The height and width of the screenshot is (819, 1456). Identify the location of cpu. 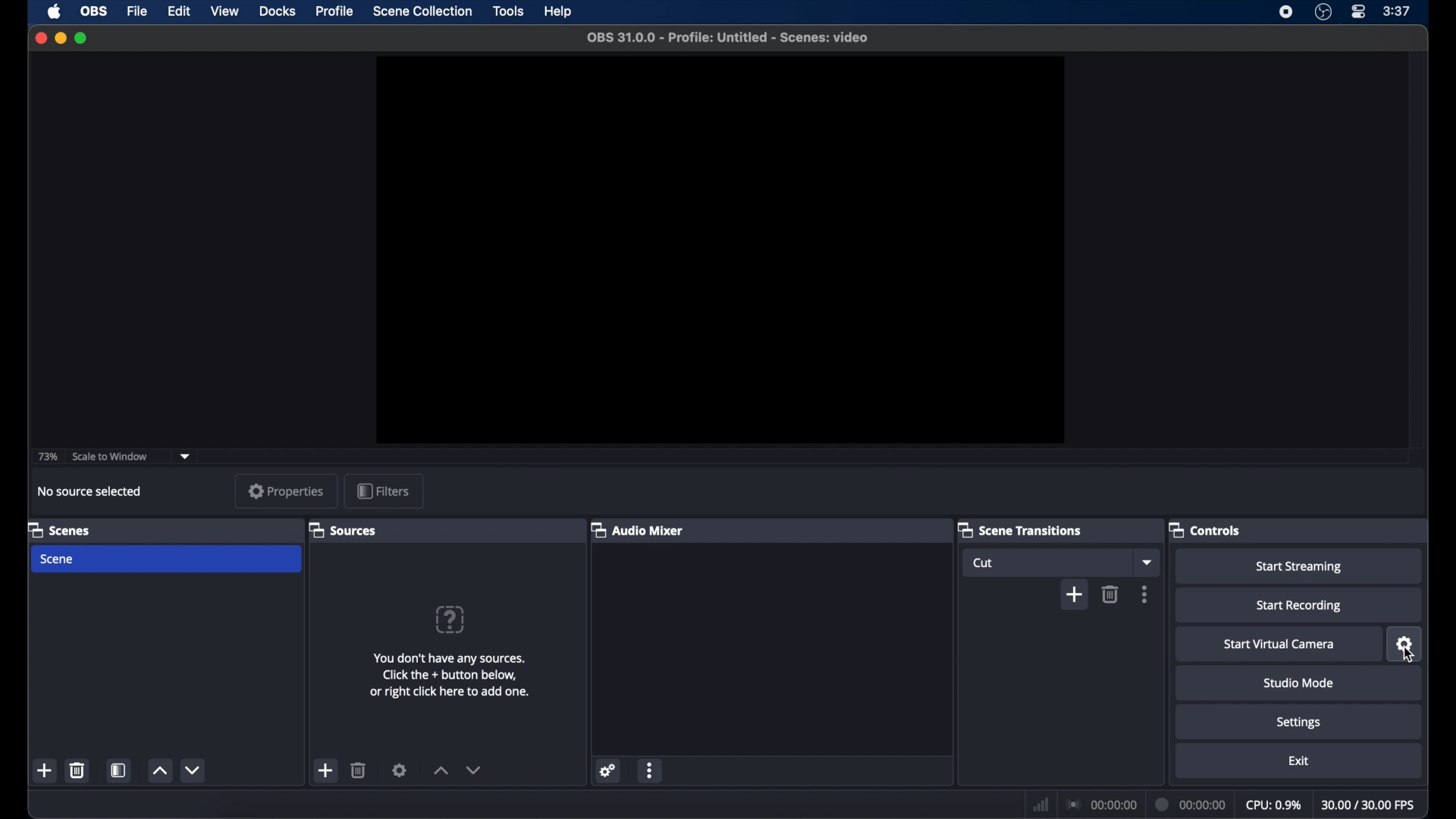
(1274, 805).